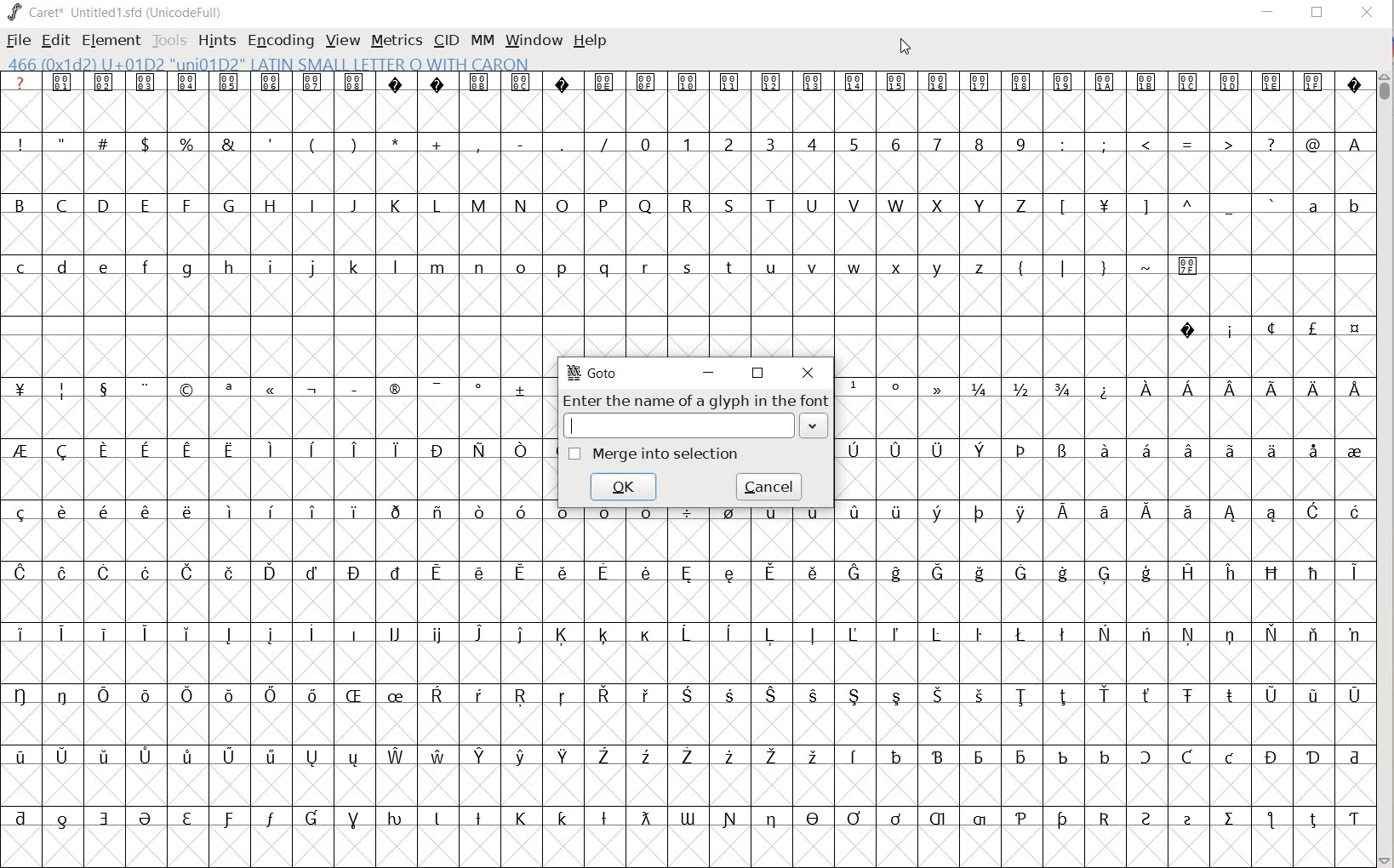 The width and height of the screenshot is (1394, 868). What do you see at coordinates (962, 691) in the screenshot?
I see `glyph characters` at bounding box center [962, 691].